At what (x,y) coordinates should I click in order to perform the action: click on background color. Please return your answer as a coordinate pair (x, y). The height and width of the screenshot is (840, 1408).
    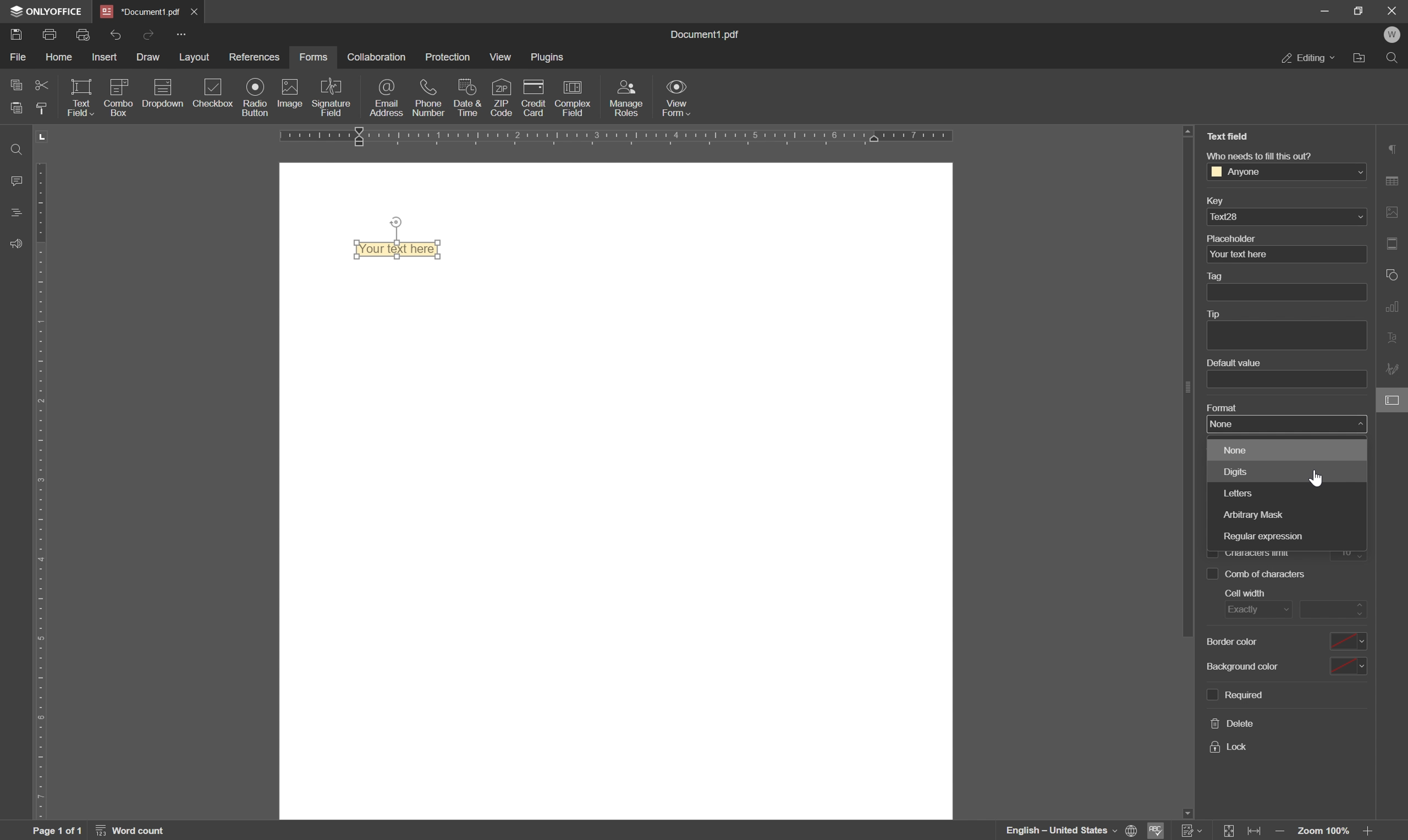
    Looking at the image, I should click on (1240, 666).